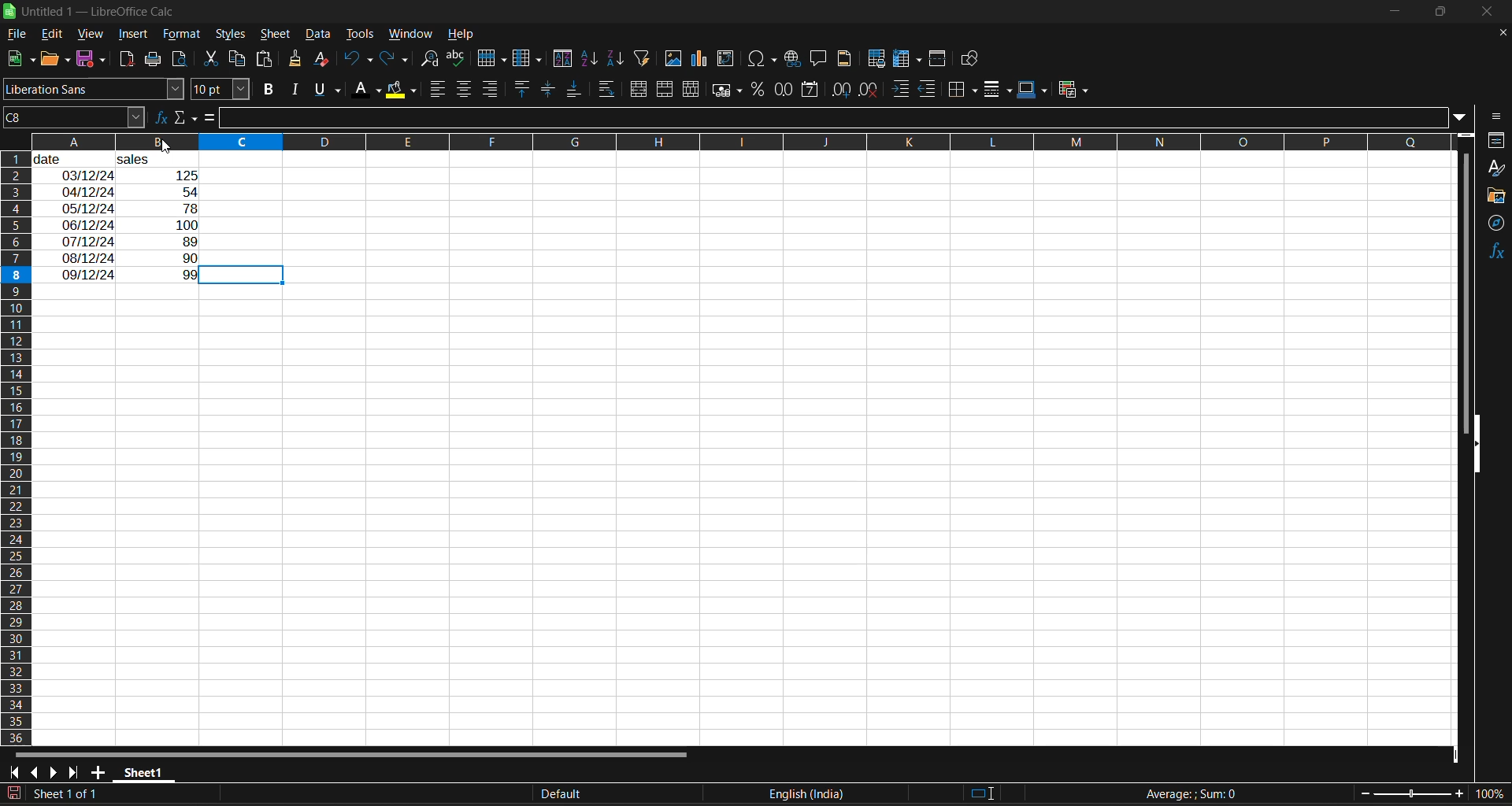  I want to click on data, so click(317, 35).